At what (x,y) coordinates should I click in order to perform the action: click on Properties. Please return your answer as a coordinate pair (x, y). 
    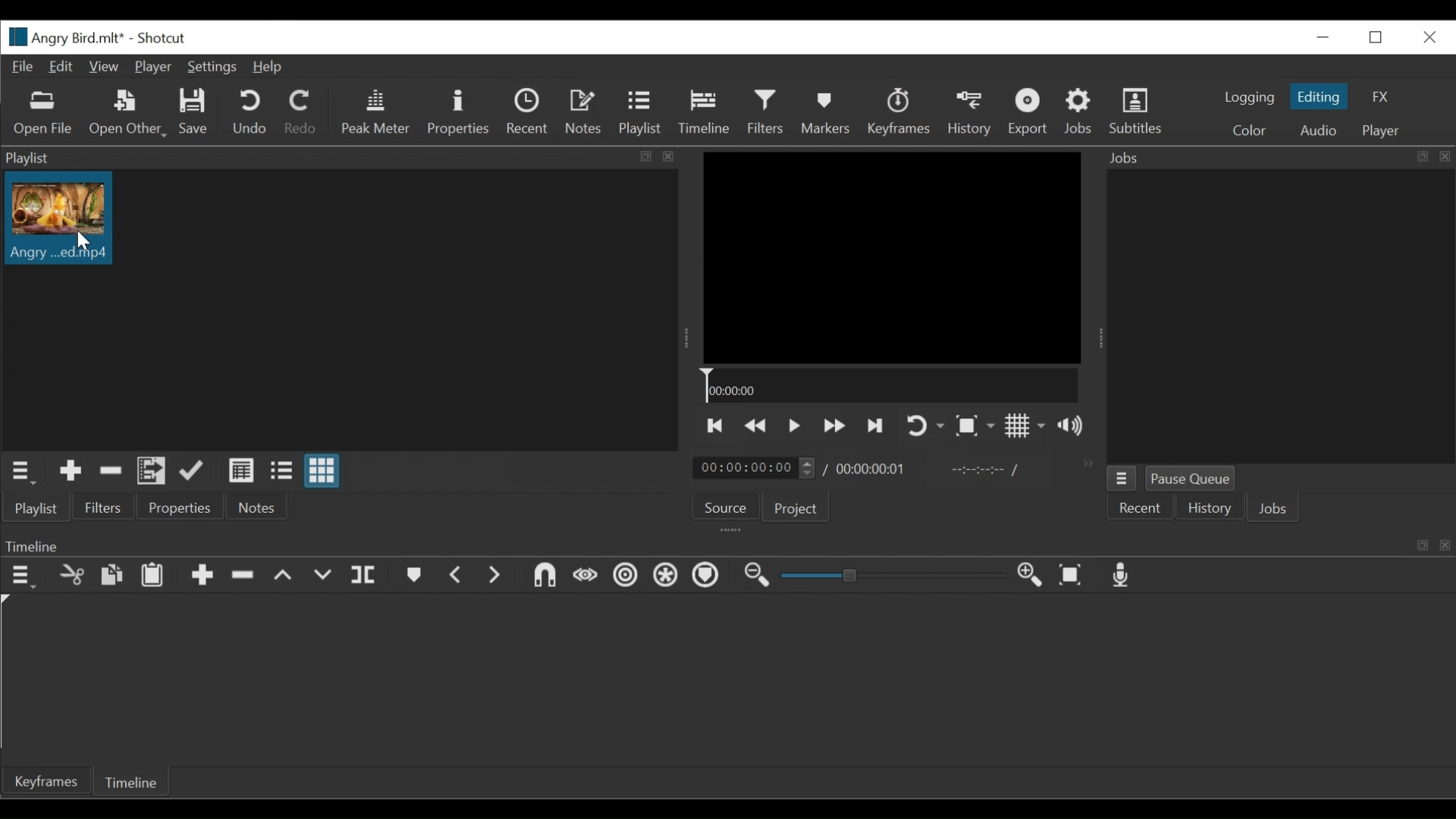
    Looking at the image, I should click on (179, 507).